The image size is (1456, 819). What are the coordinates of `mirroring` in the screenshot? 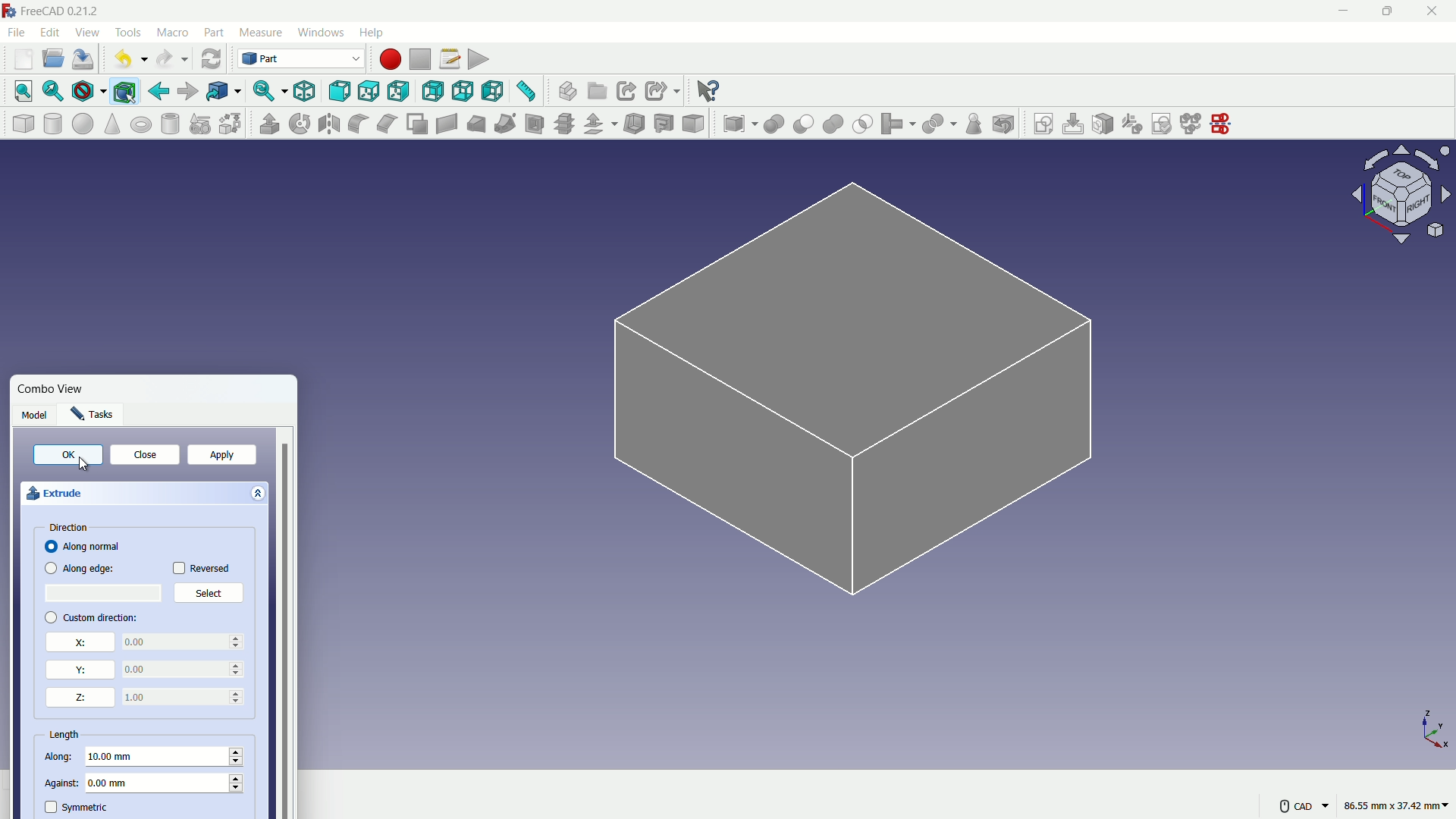 It's located at (330, 124).